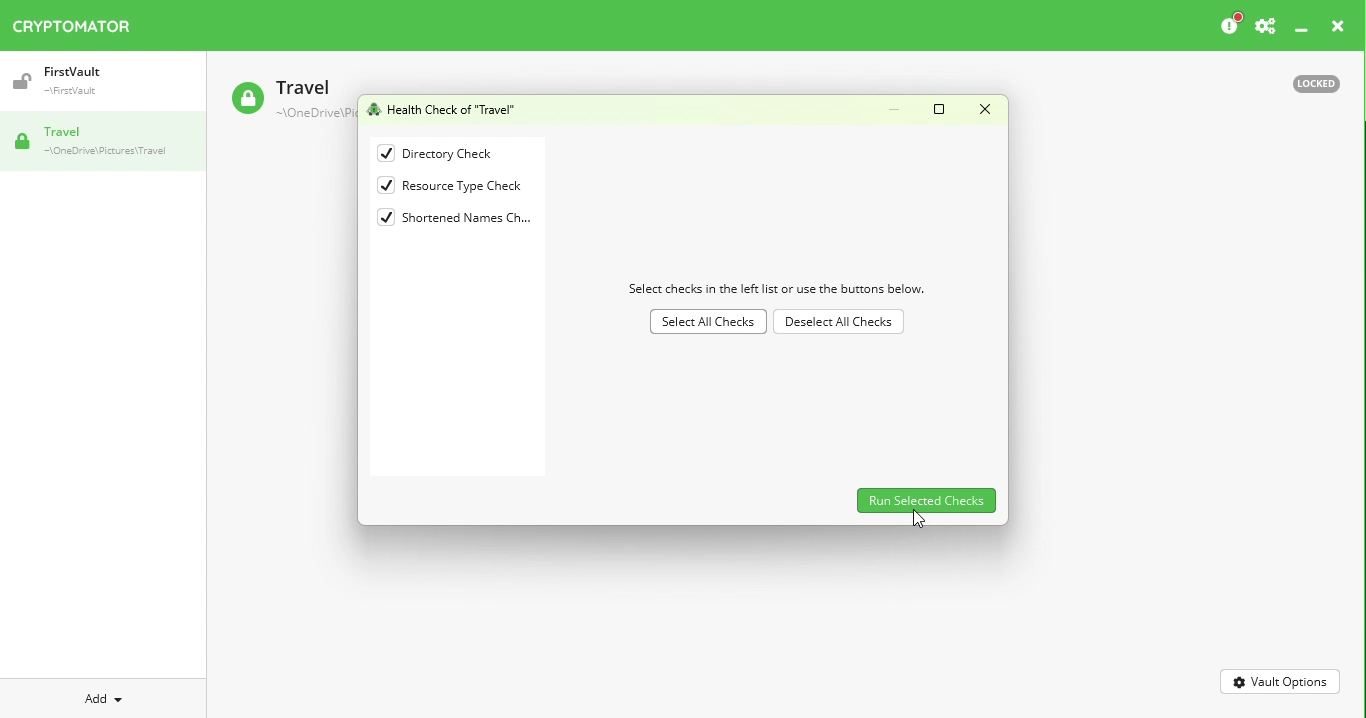 This screenshot has width=1366, height=718. I want to click on Close, so click(987, 109).